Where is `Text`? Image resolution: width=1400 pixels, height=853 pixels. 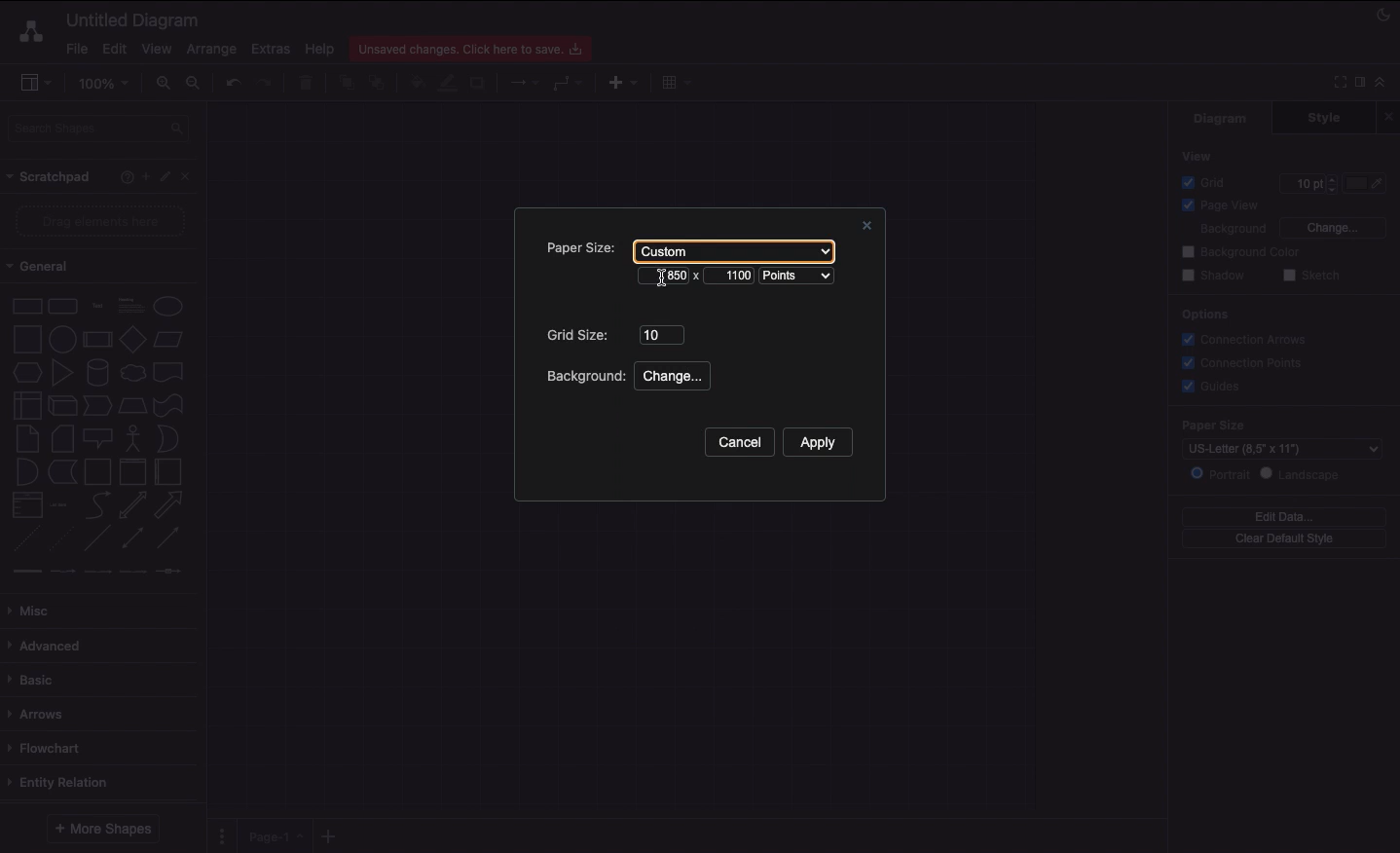 Text is located at coordinates (97, 307).